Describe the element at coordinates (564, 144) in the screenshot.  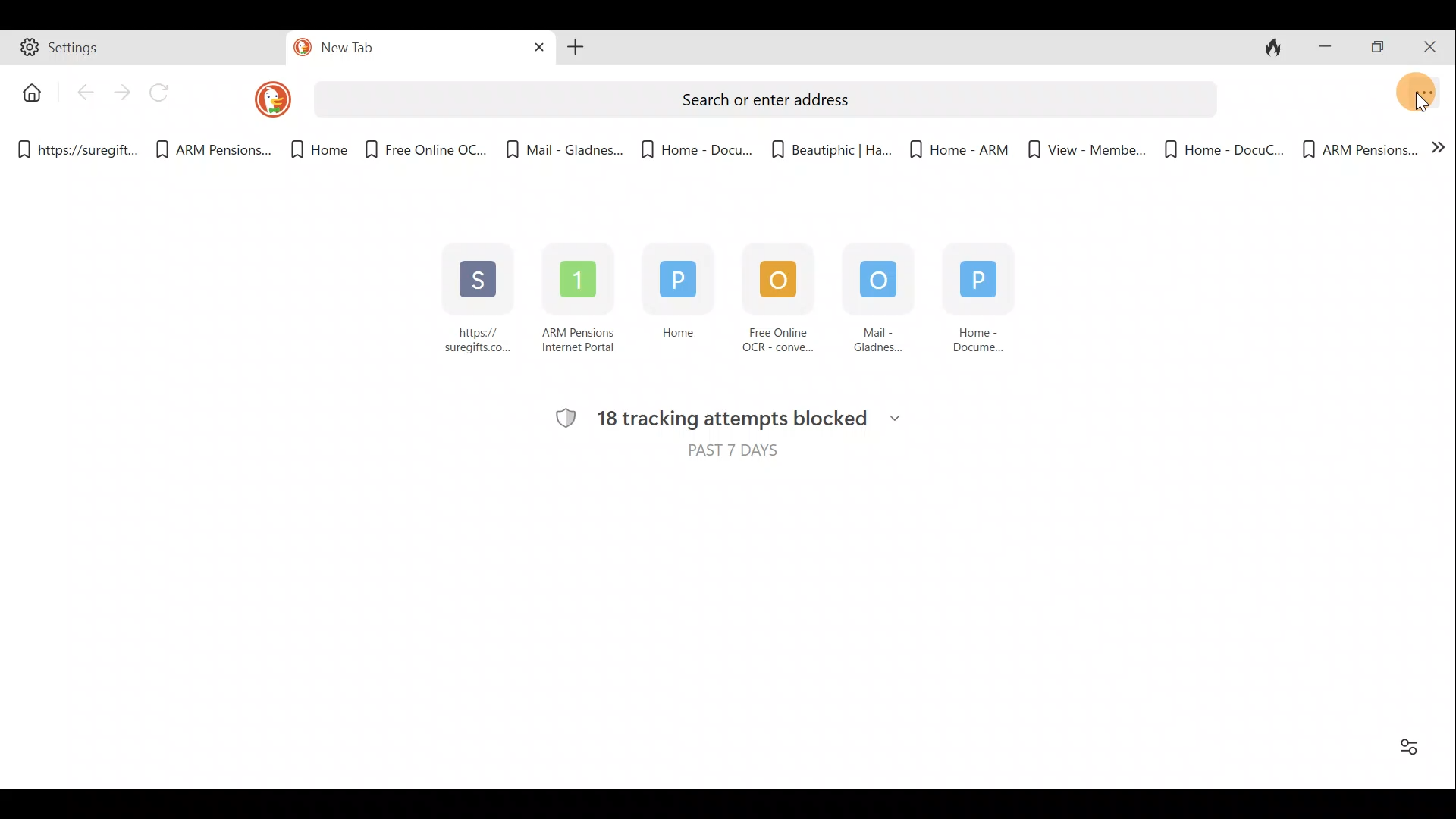
I see `Mail - Gladnes...` at that location.